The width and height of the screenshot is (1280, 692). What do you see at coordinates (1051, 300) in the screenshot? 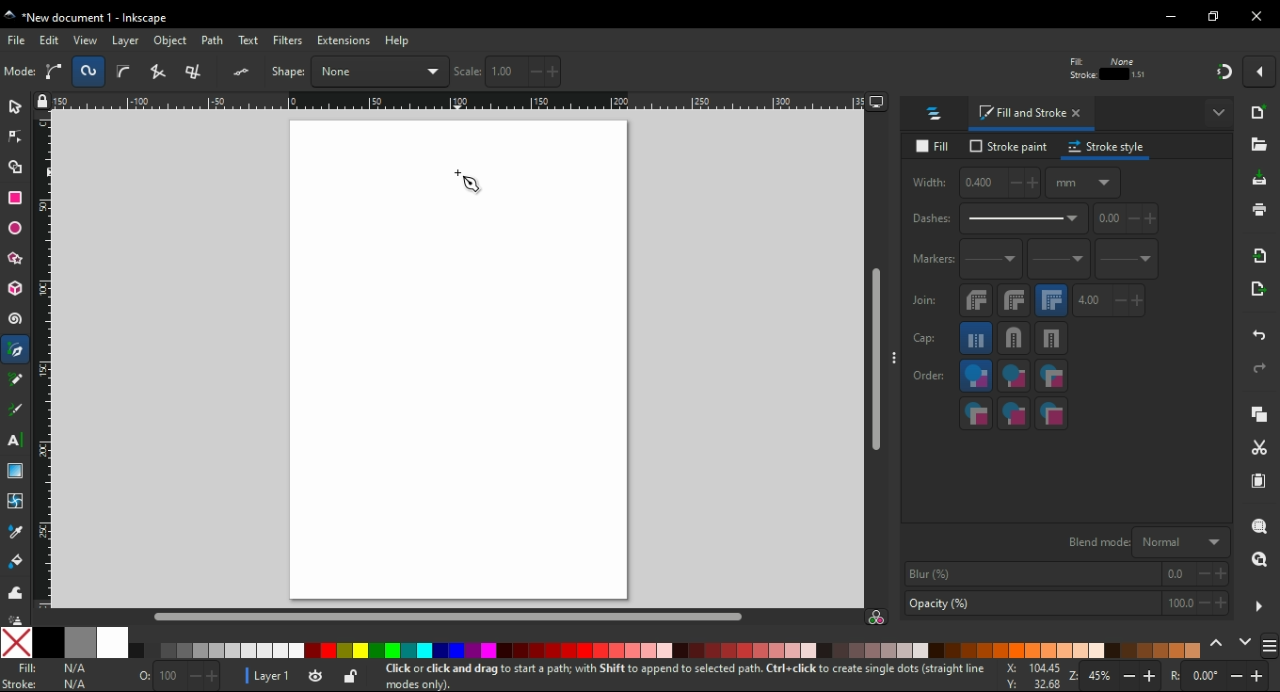
I see `miter` at bounding box center [1051, 300].